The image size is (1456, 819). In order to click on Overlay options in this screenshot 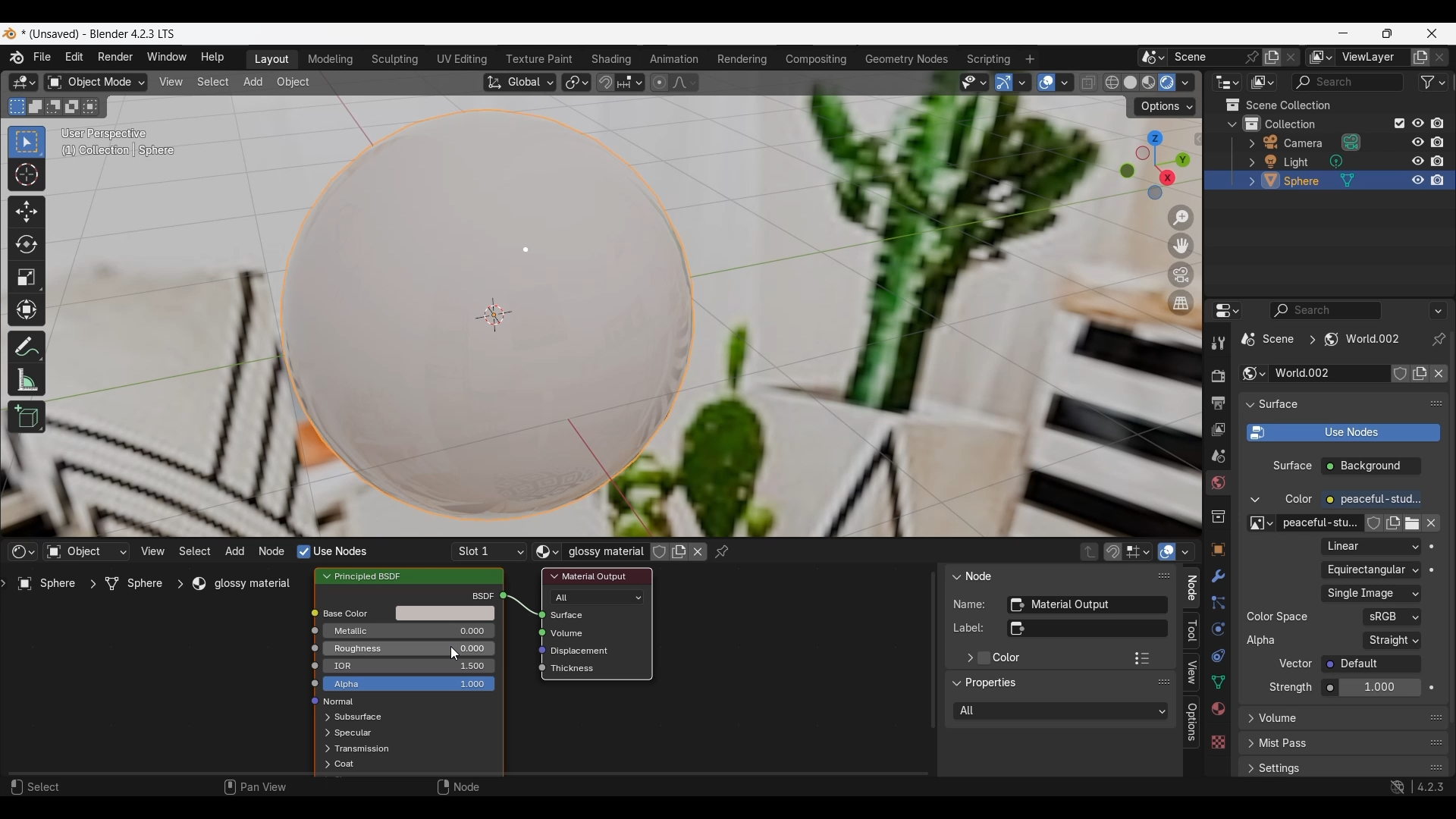, I will do `click(1065, 83)`.